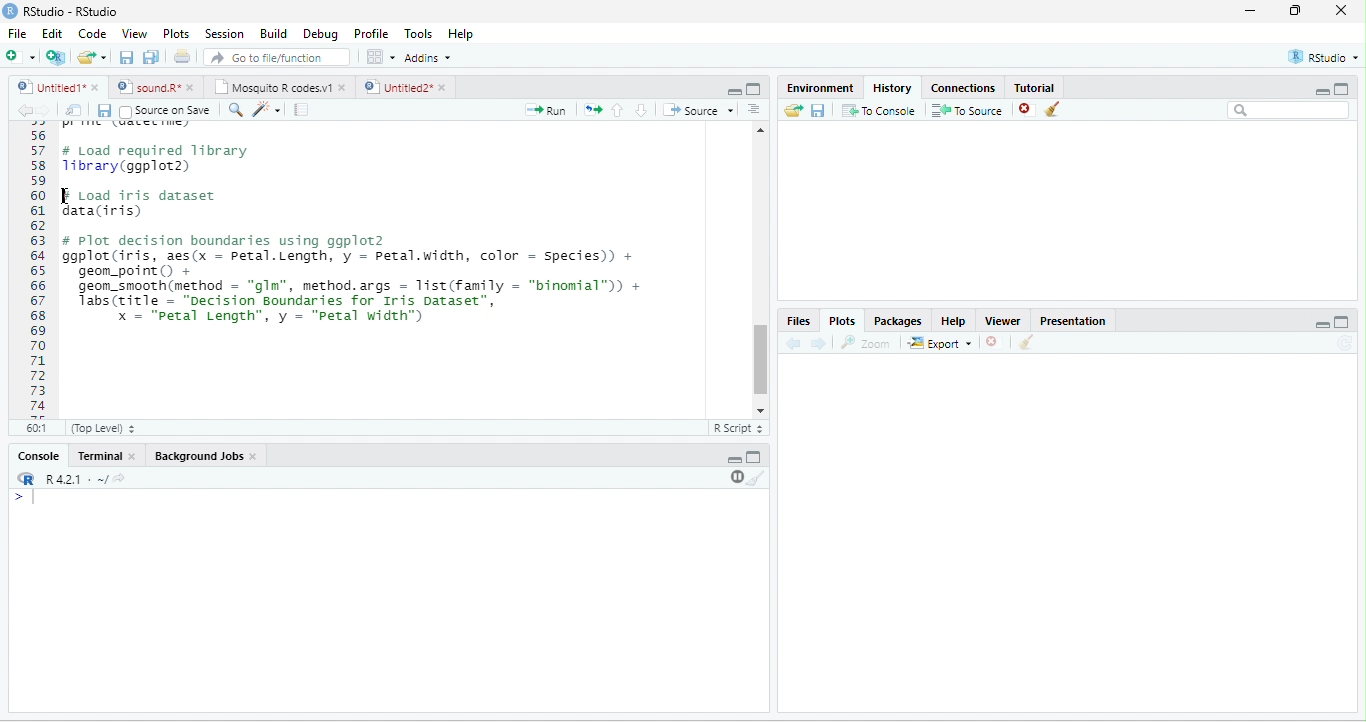 The image size is (1366, 722). Describe the element at coordinates (463, 35) in the screenshot. I see `Help` at that location.